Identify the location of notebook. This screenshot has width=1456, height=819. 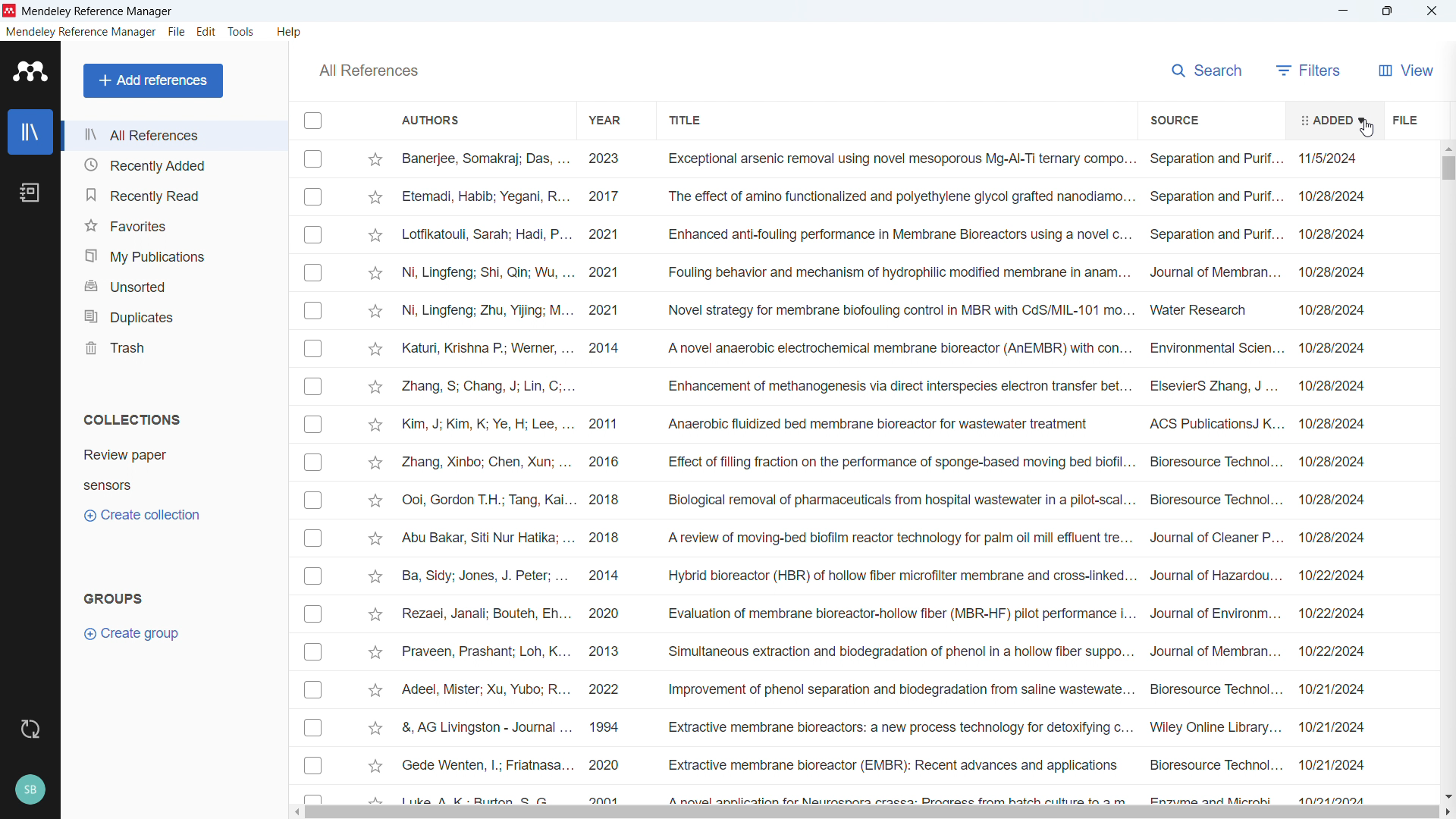
(32, 192).